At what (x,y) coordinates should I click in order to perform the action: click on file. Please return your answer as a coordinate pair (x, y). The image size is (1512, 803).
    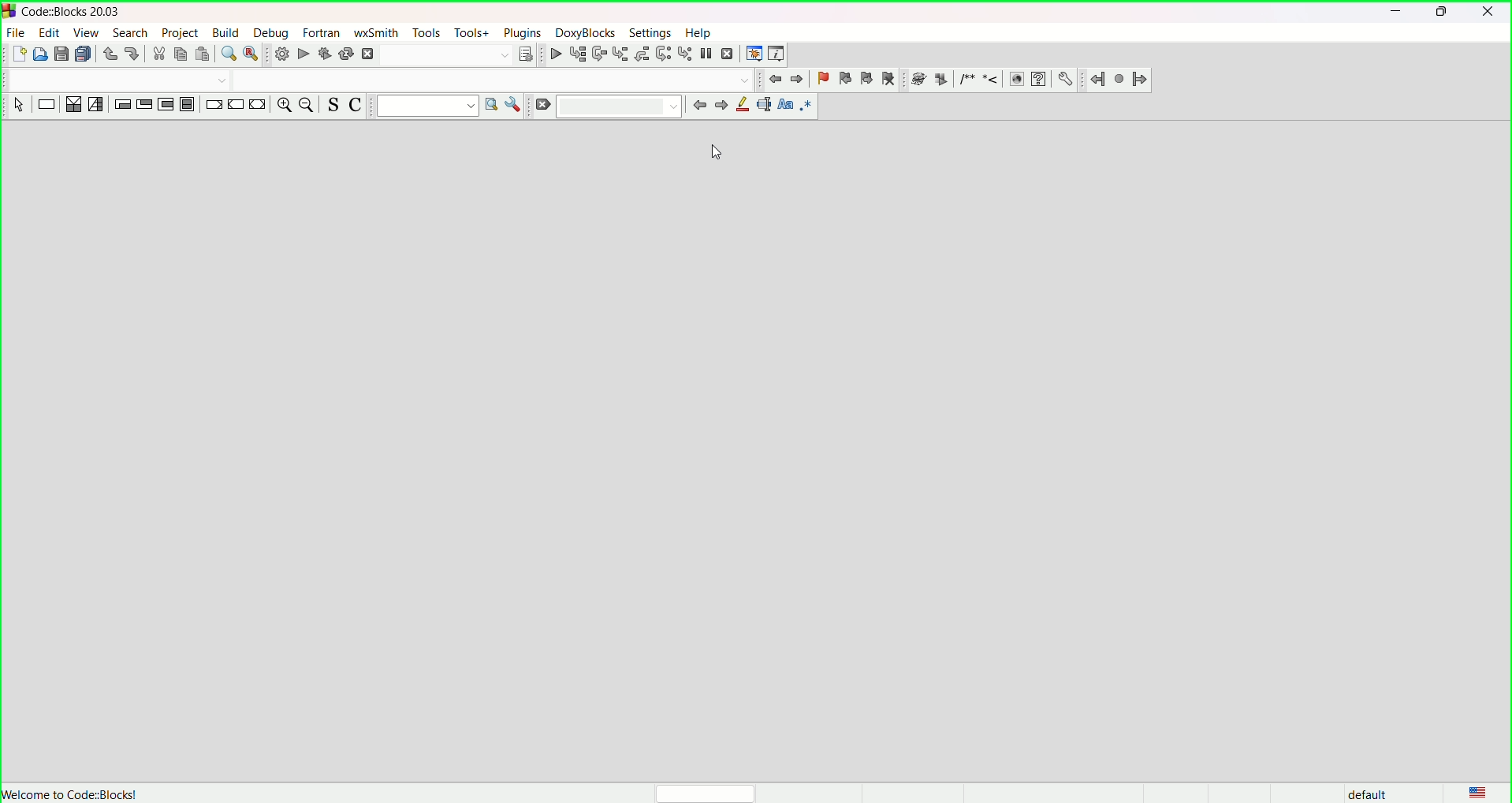
    Looking at the image, I should click on (17, 33).